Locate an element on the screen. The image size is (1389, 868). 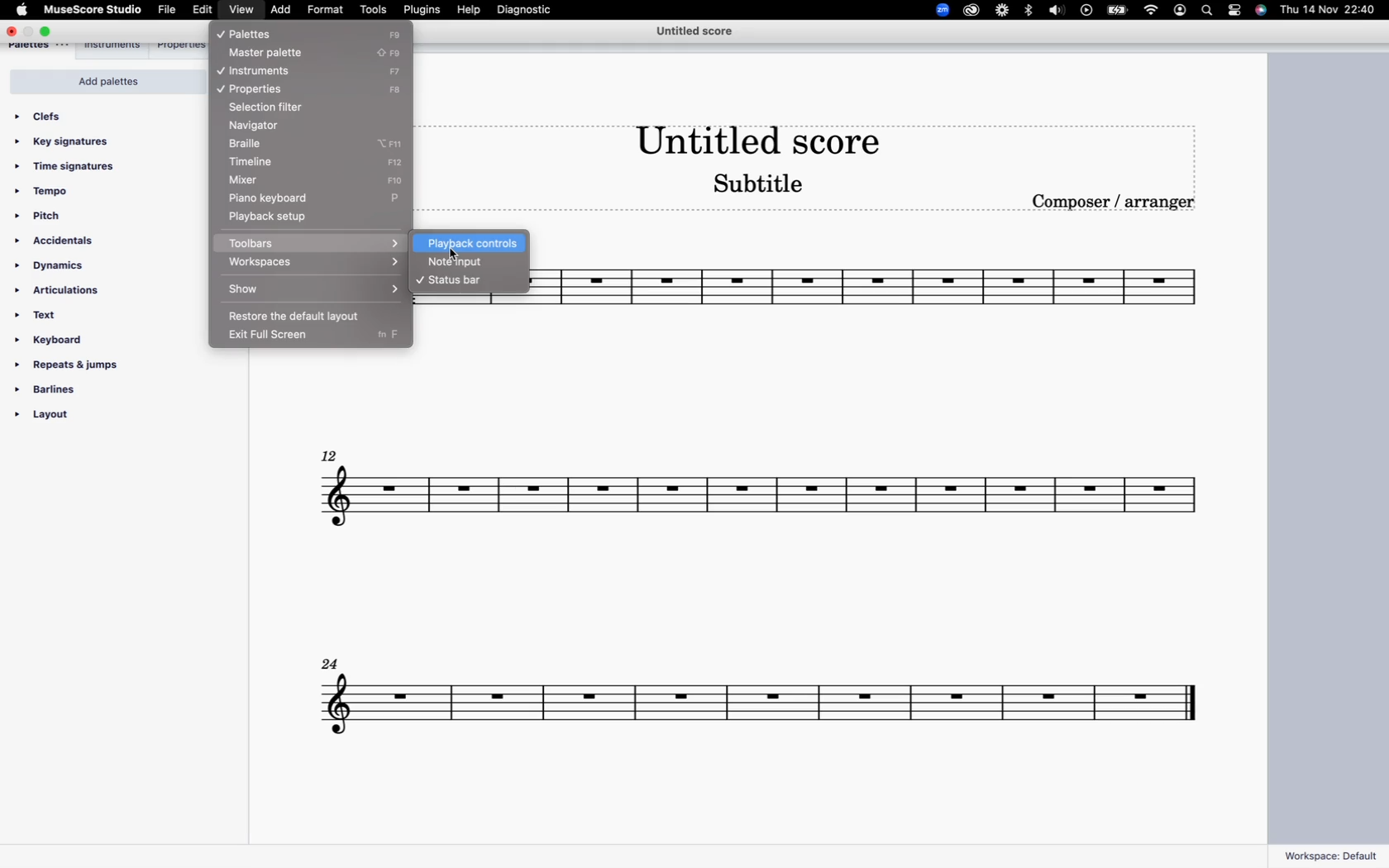
exit full screen is located at coordinates (285, 337).